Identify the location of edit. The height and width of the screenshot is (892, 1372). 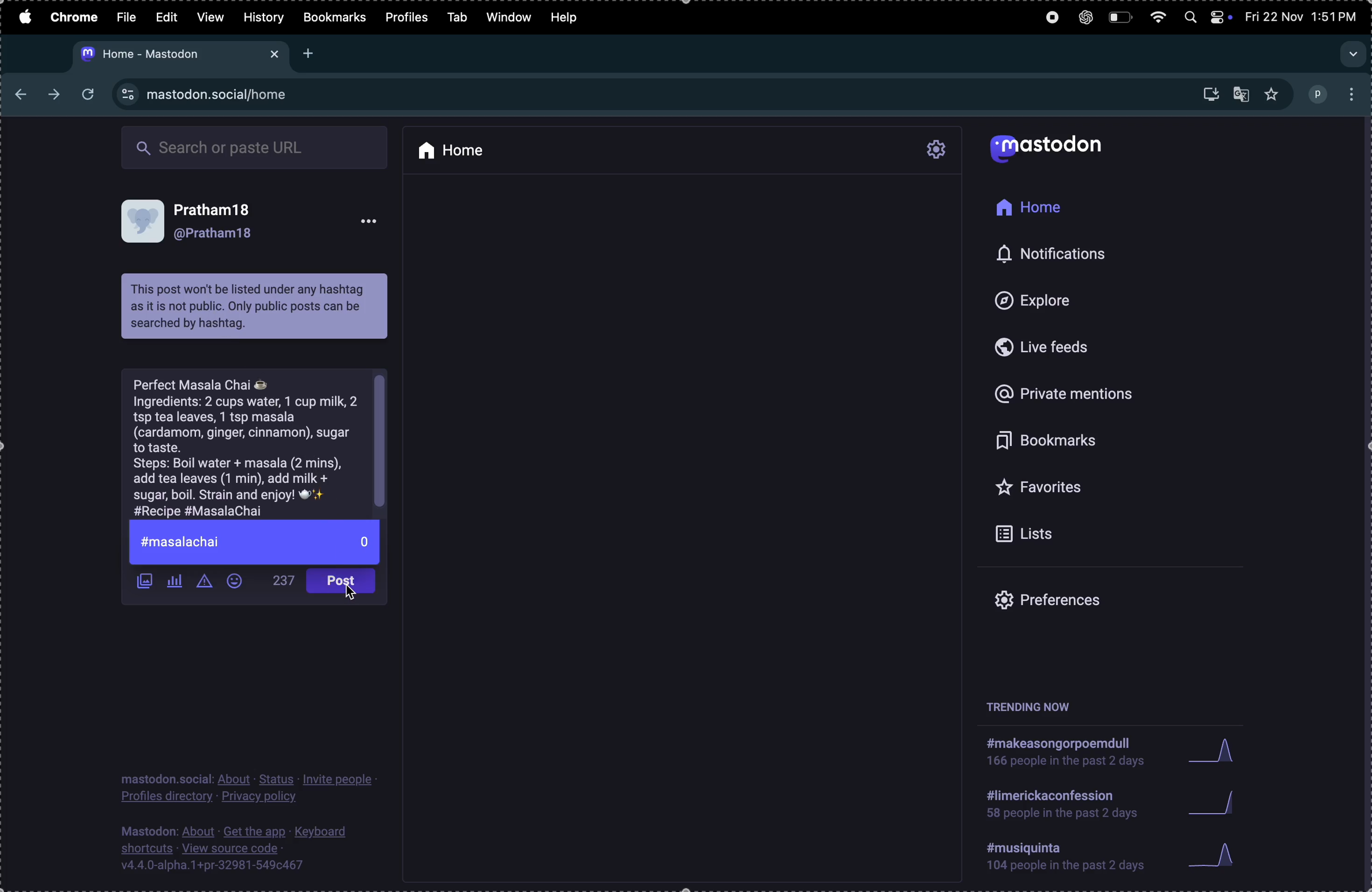
(168, 16).